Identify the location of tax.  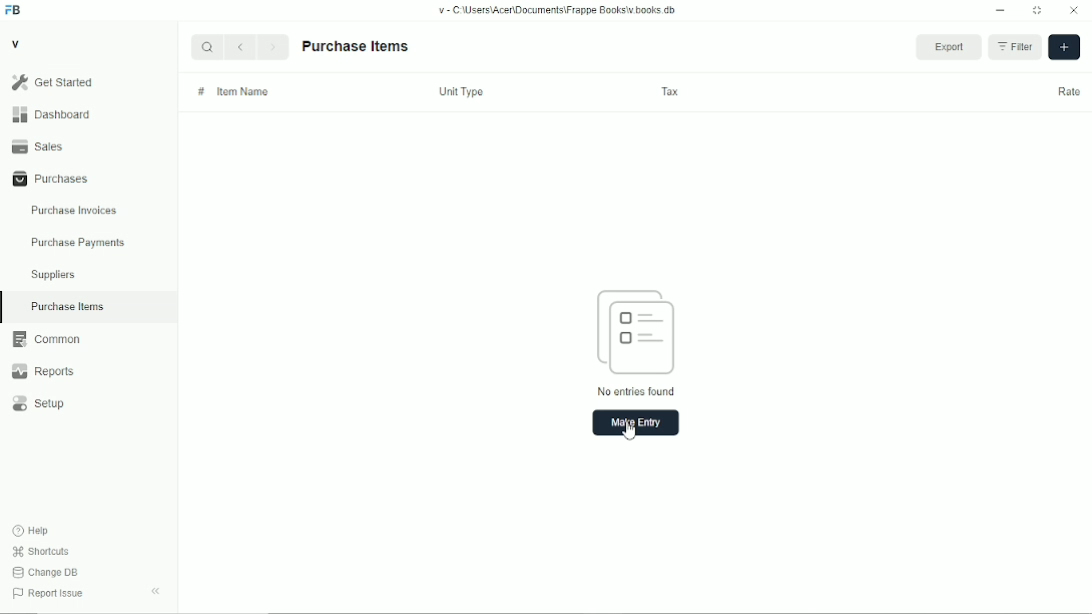
(672, 92).